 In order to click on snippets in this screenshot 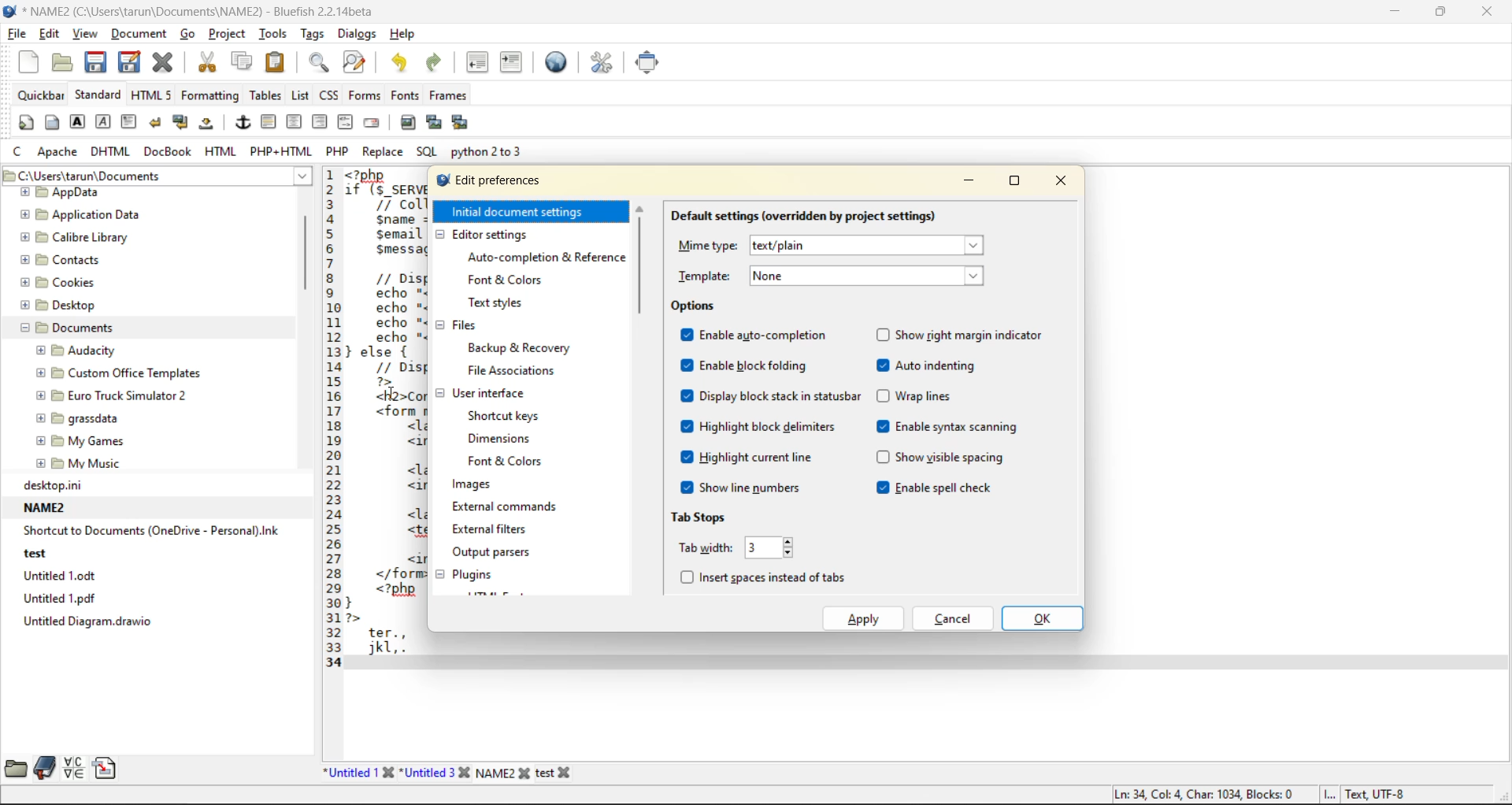, I will do `click(104, 770)`.